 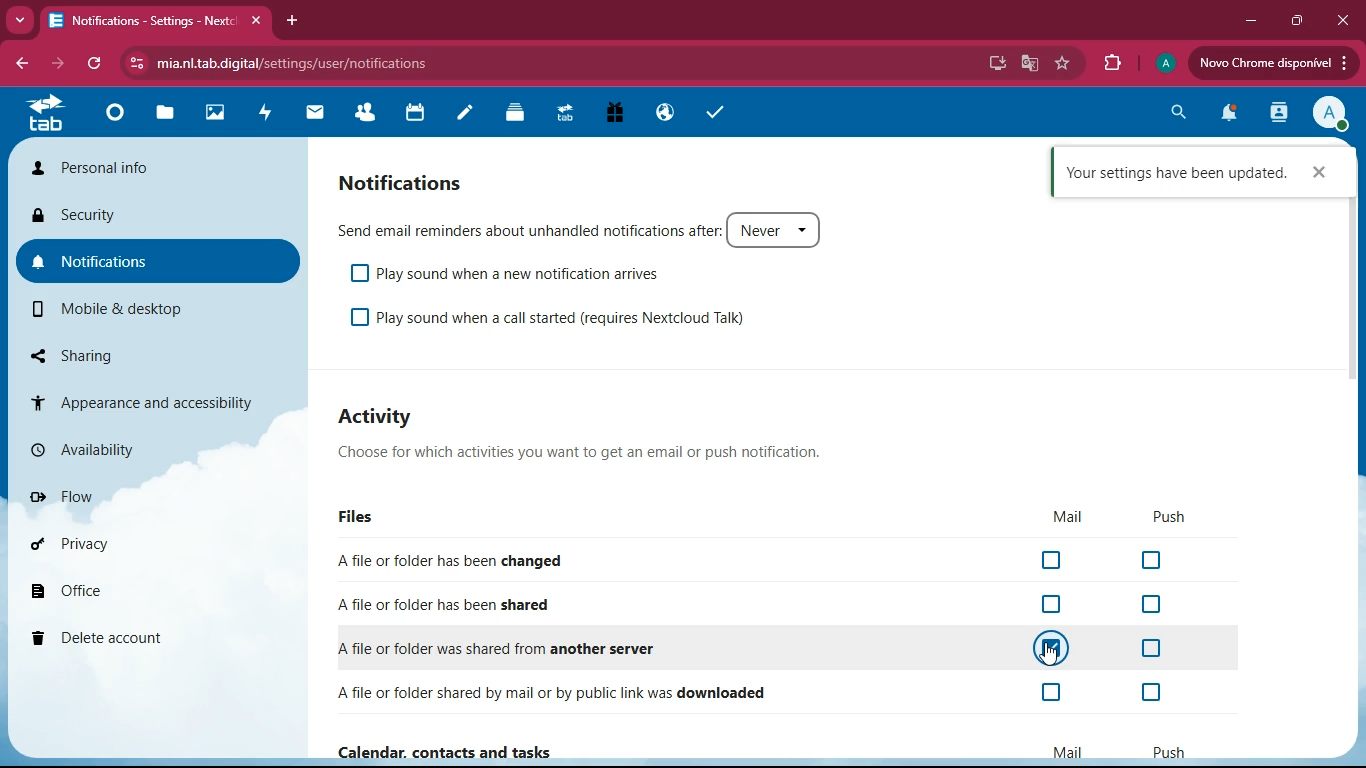 What do you see at coordinates (141, 635) in the screenshot?
I see `delete` at bounding box center [141, 635].